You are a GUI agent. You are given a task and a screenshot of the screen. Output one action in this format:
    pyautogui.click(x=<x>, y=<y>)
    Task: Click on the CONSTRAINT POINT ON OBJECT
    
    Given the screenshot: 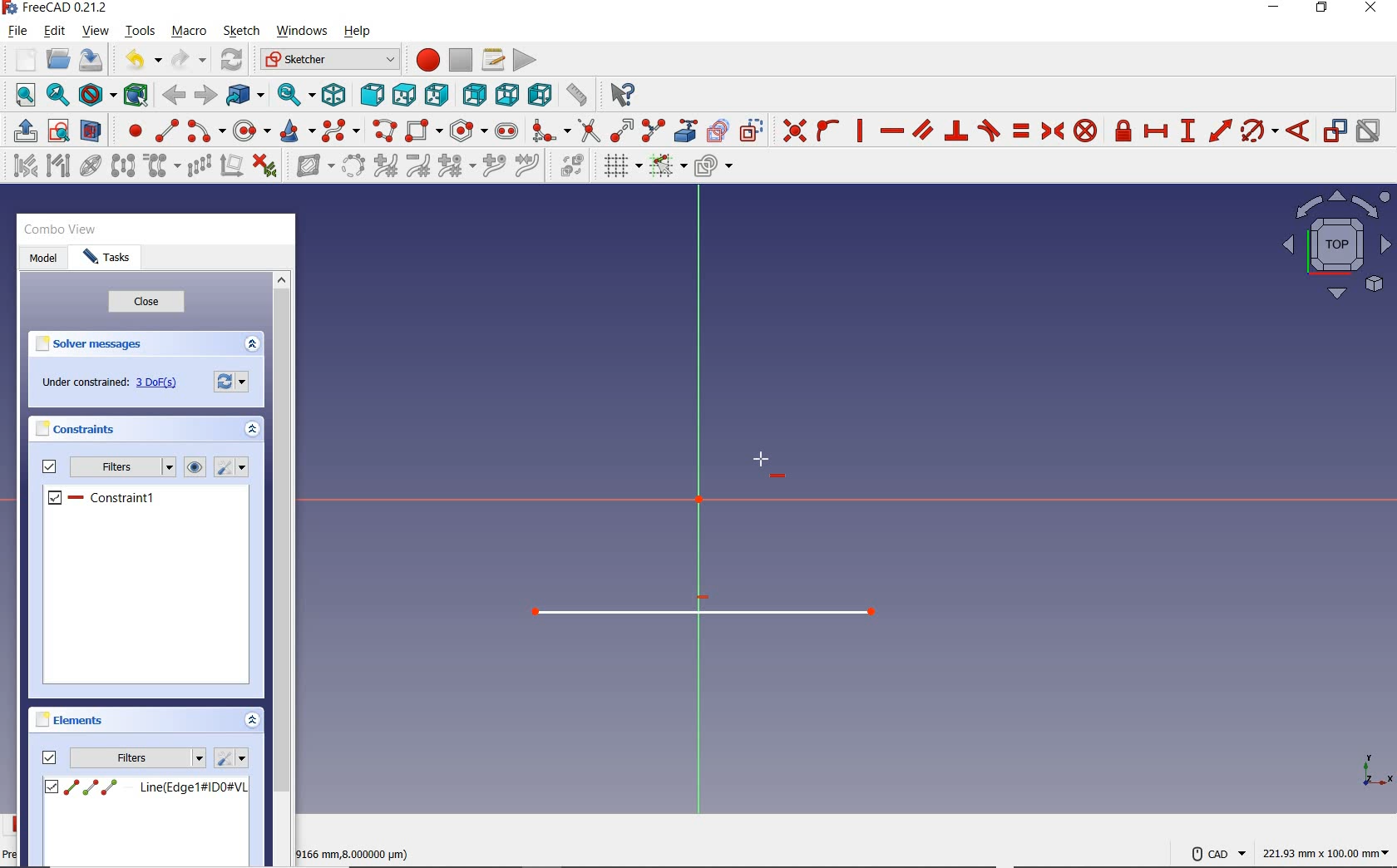 What is the action you would take?
    pyautogui.click(x=828, y=129)
    